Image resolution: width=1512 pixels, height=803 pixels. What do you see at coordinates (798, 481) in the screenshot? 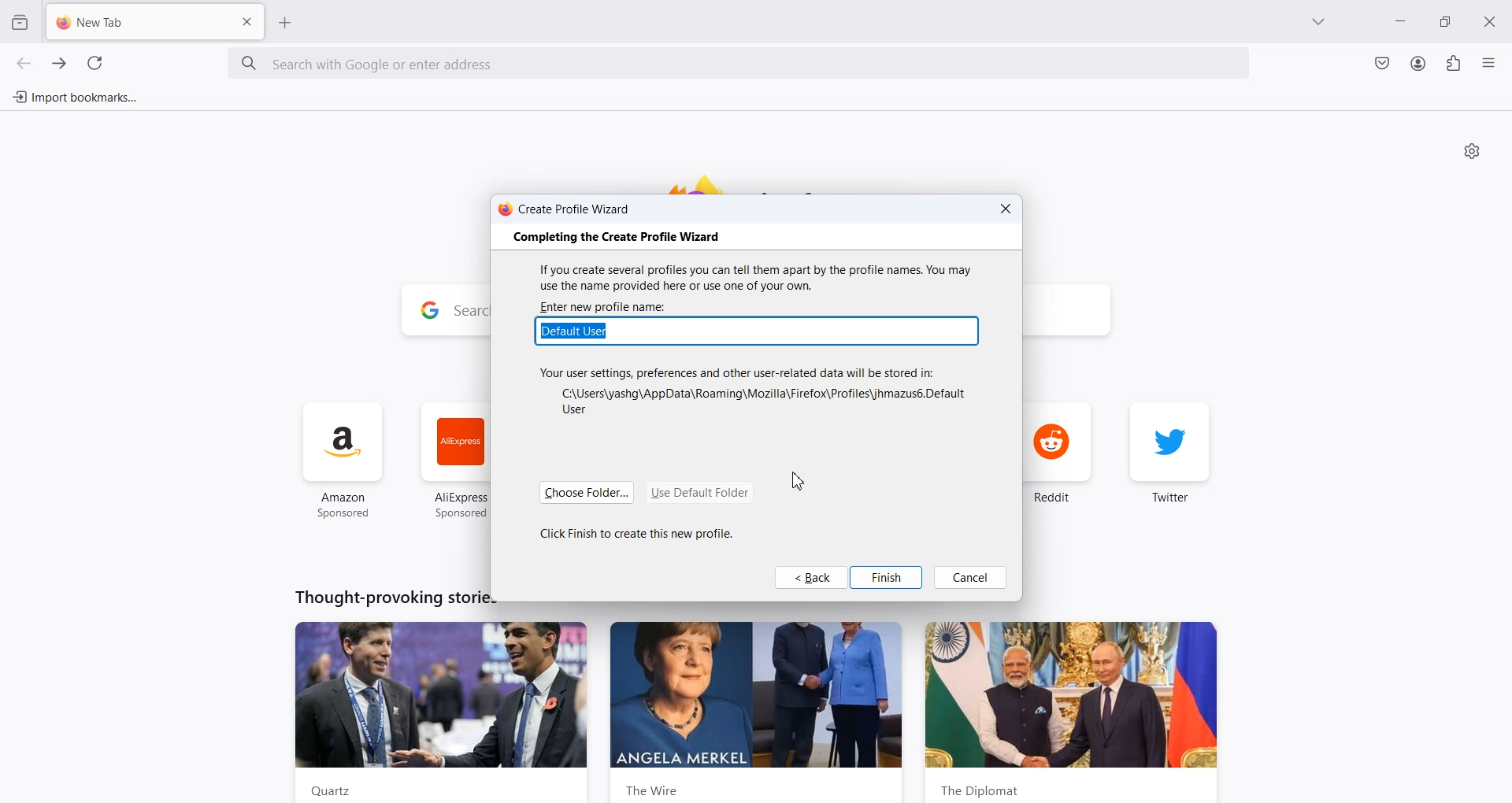
I see `Cursor` at bounding box center [798, 481].